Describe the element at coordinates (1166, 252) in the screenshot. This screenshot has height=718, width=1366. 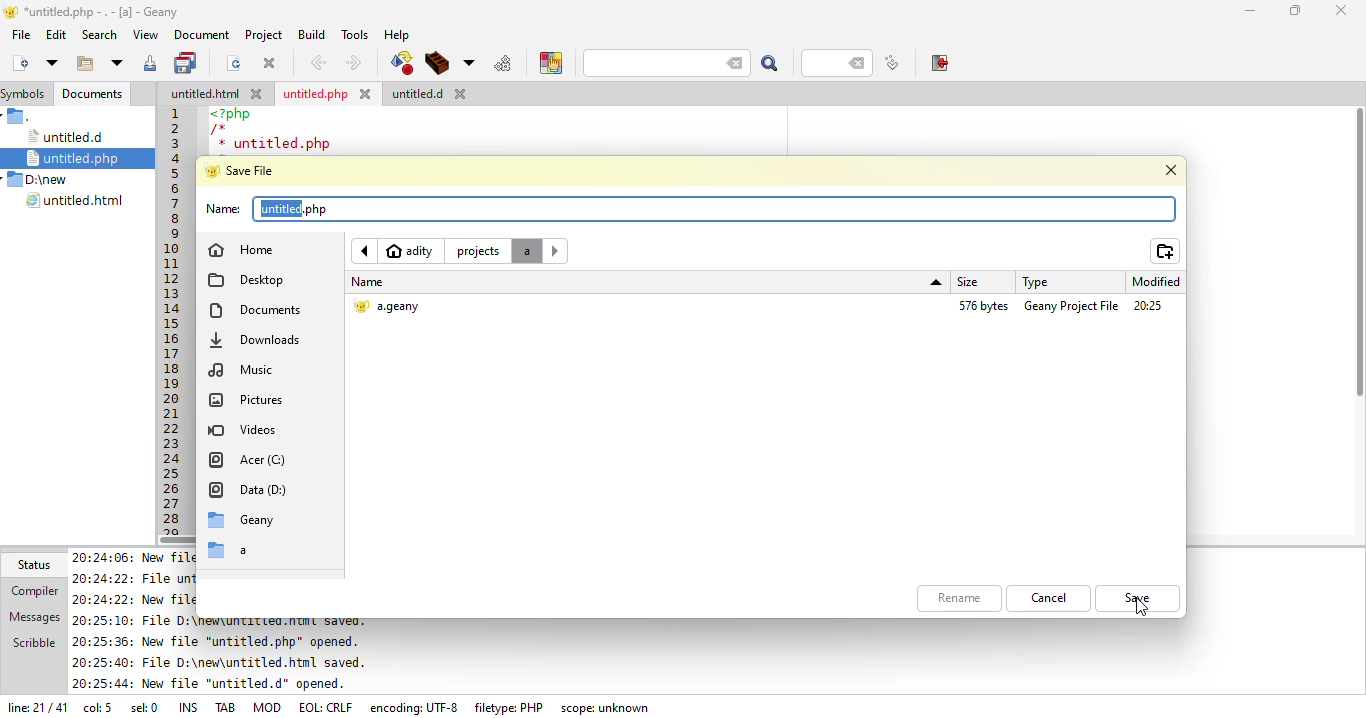
I see `new folder` at that location.